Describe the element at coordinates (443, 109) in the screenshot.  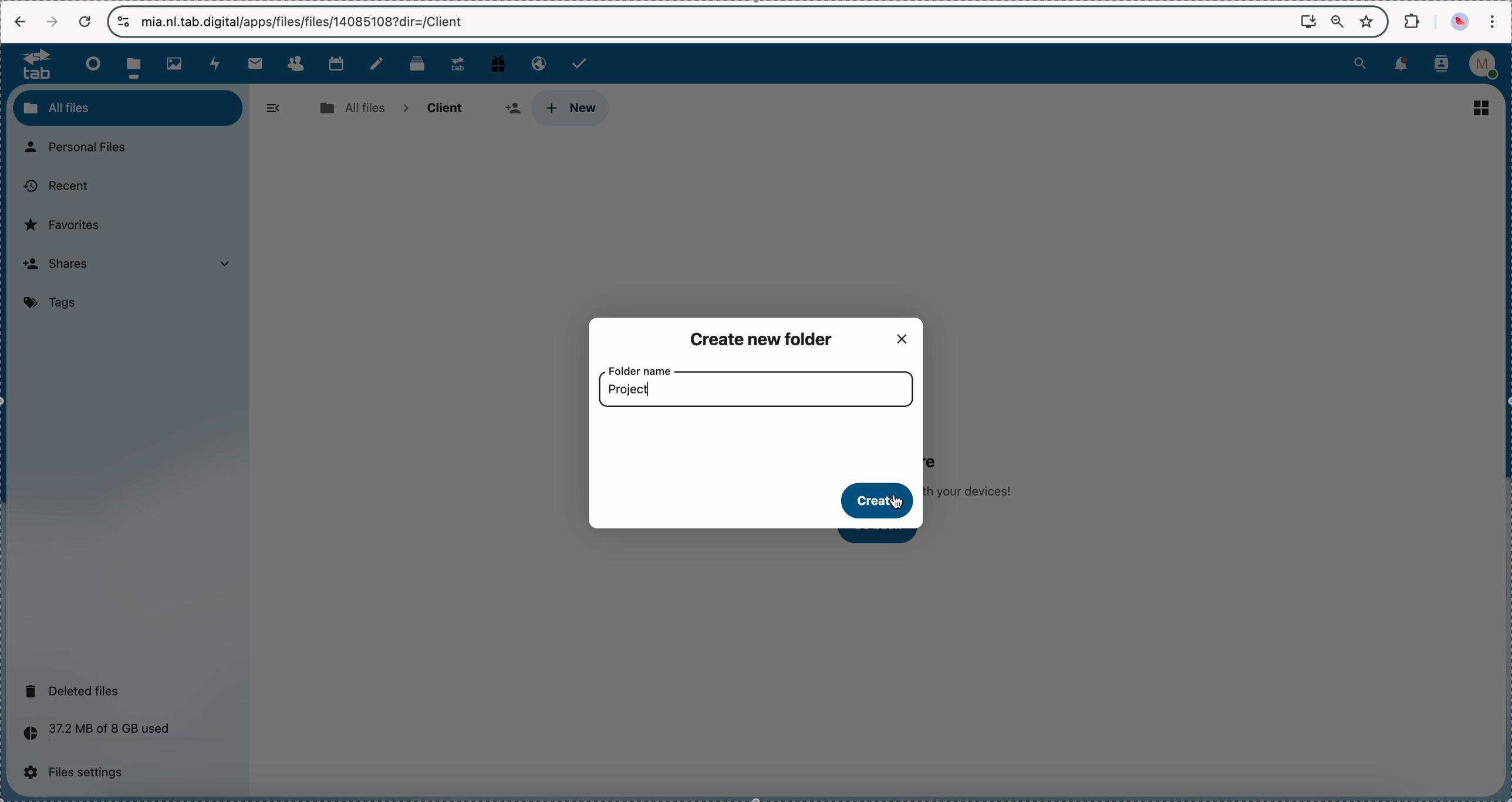
I see `client` at that location.